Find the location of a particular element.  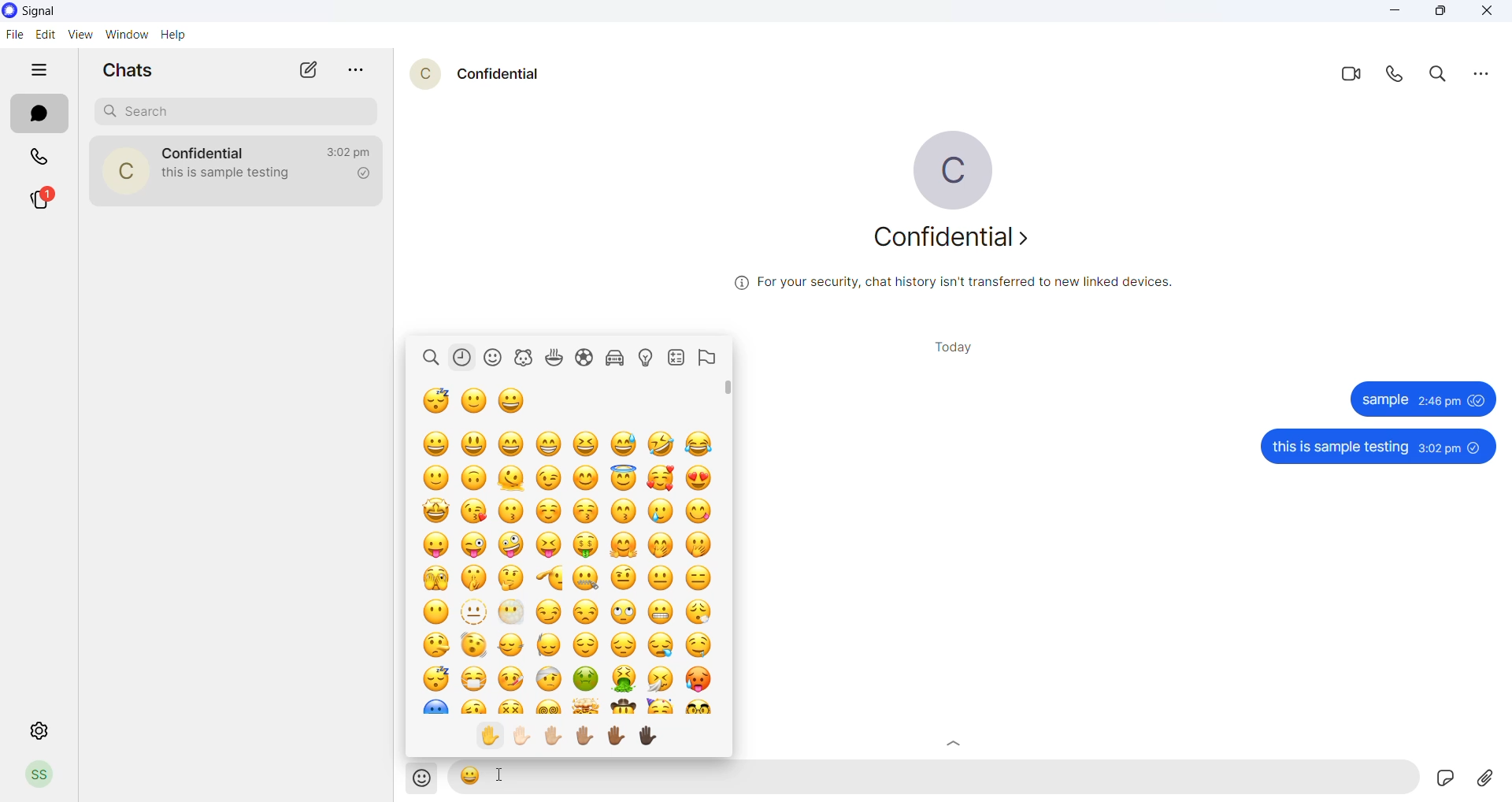

3:02 pm is located at coordinates (1439, 447).